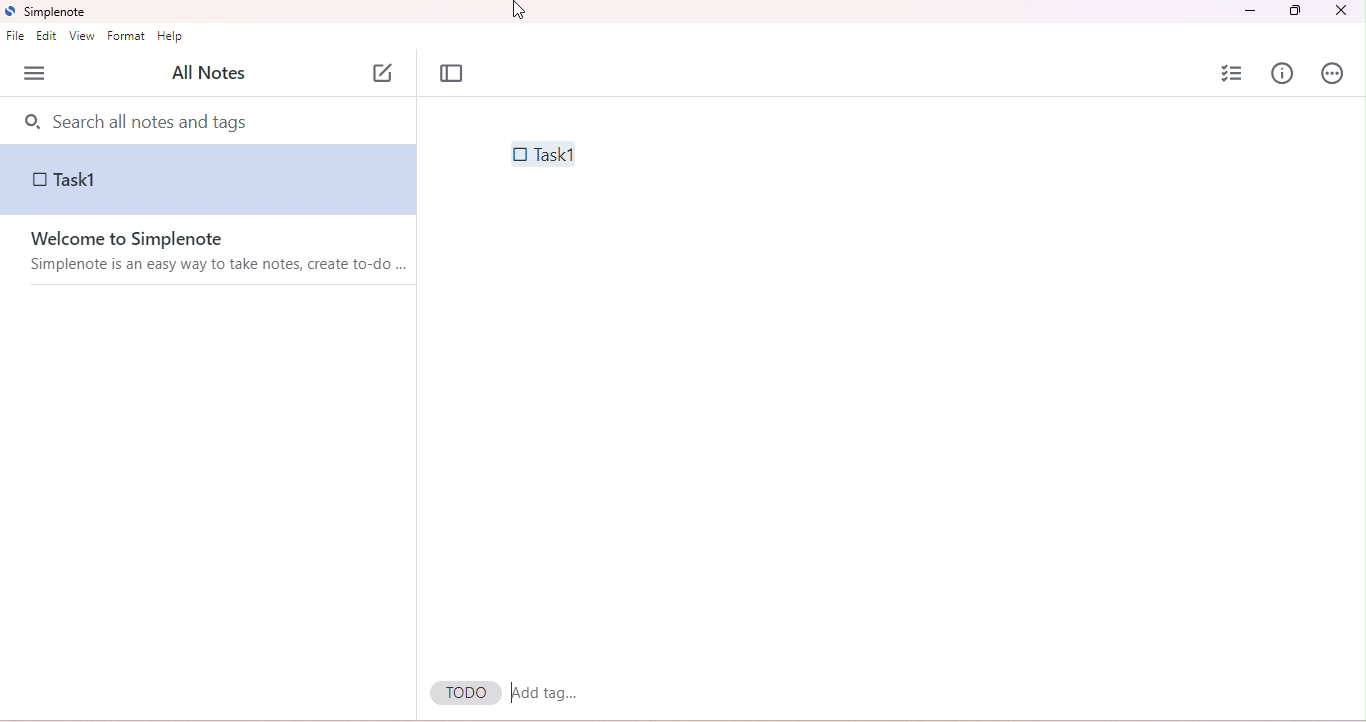  Describe the element at coordinates (207, 74) in the screenshot. I see `all notes` at that location.